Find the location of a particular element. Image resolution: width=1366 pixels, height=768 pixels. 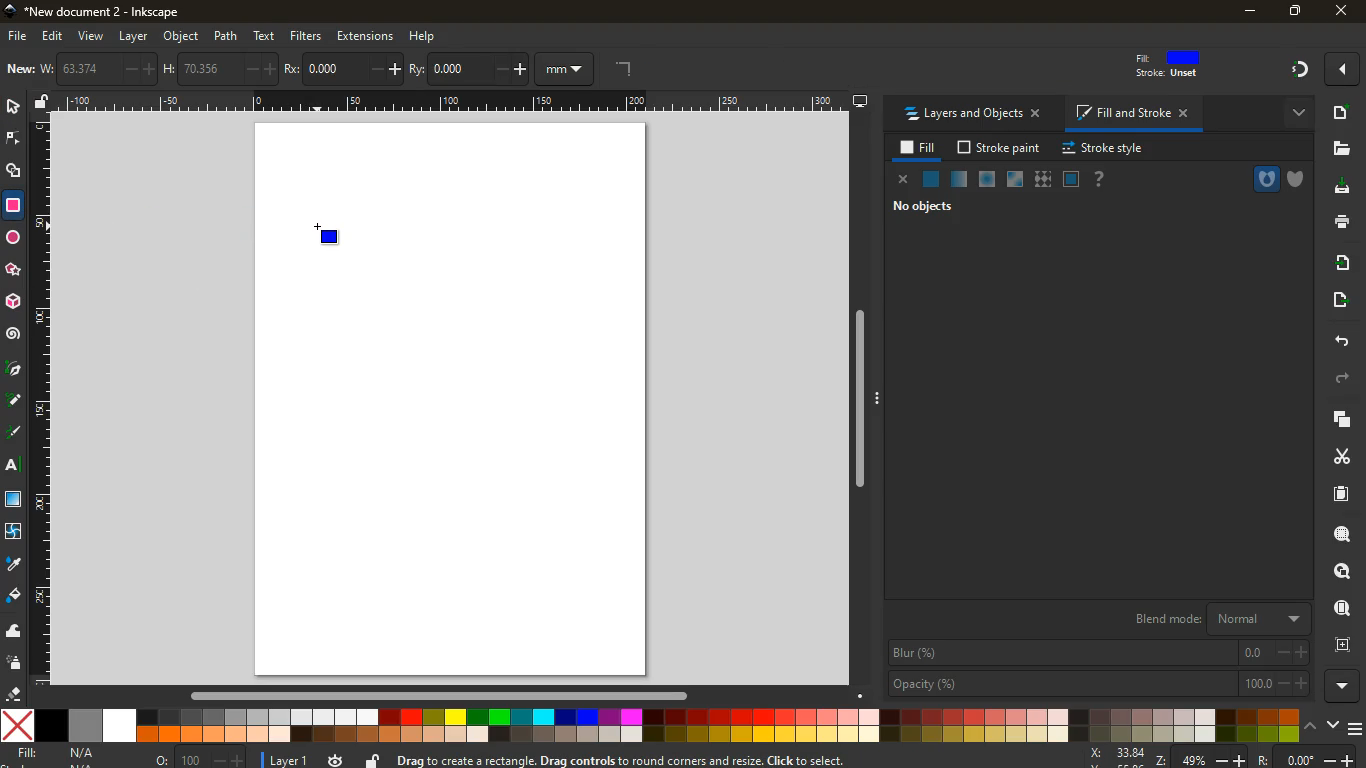

maximize is located at coordinates (1293, 10).